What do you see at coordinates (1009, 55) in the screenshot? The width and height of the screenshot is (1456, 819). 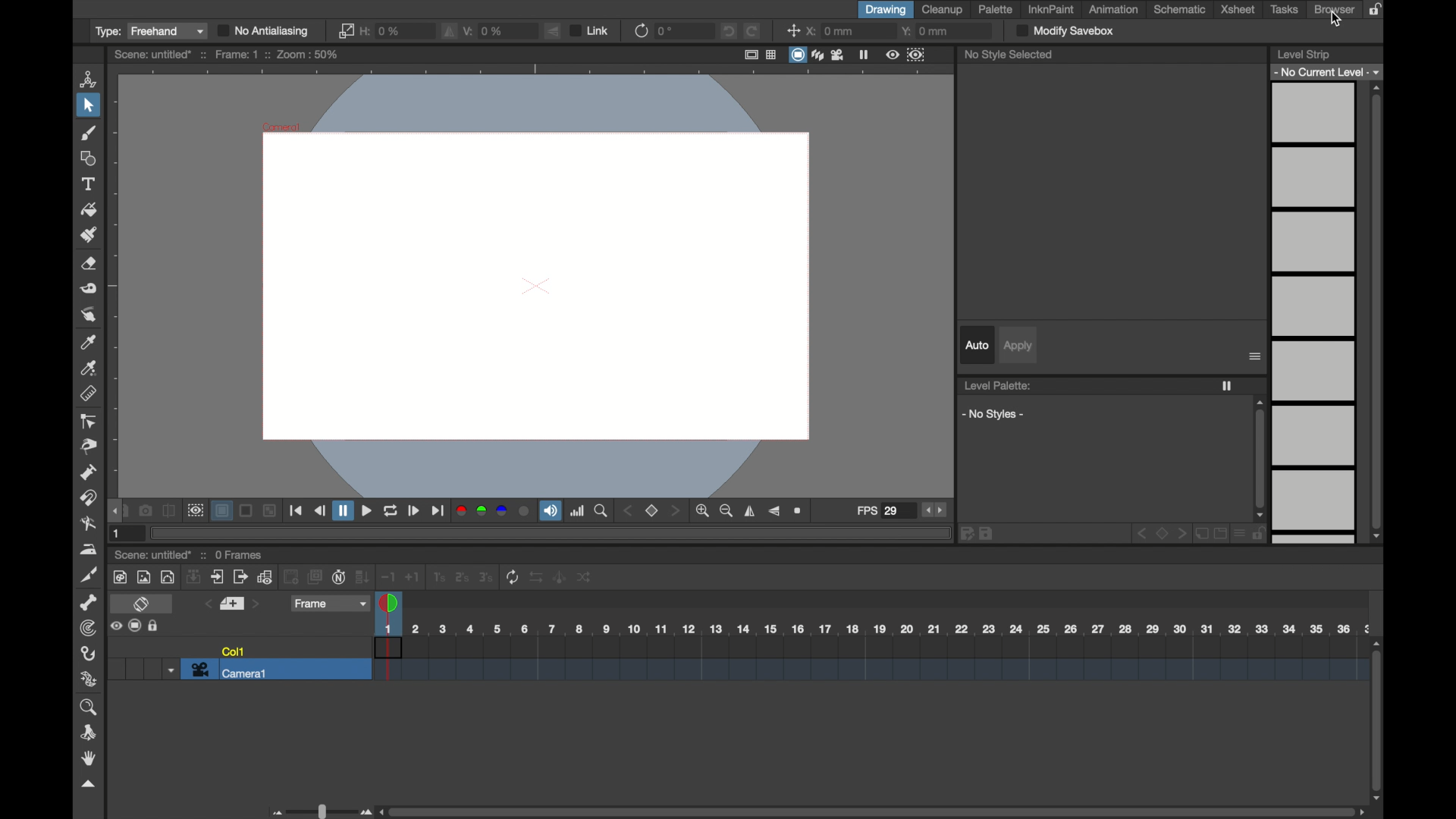 I see `no style selected` at bounding box center [1009, 55].